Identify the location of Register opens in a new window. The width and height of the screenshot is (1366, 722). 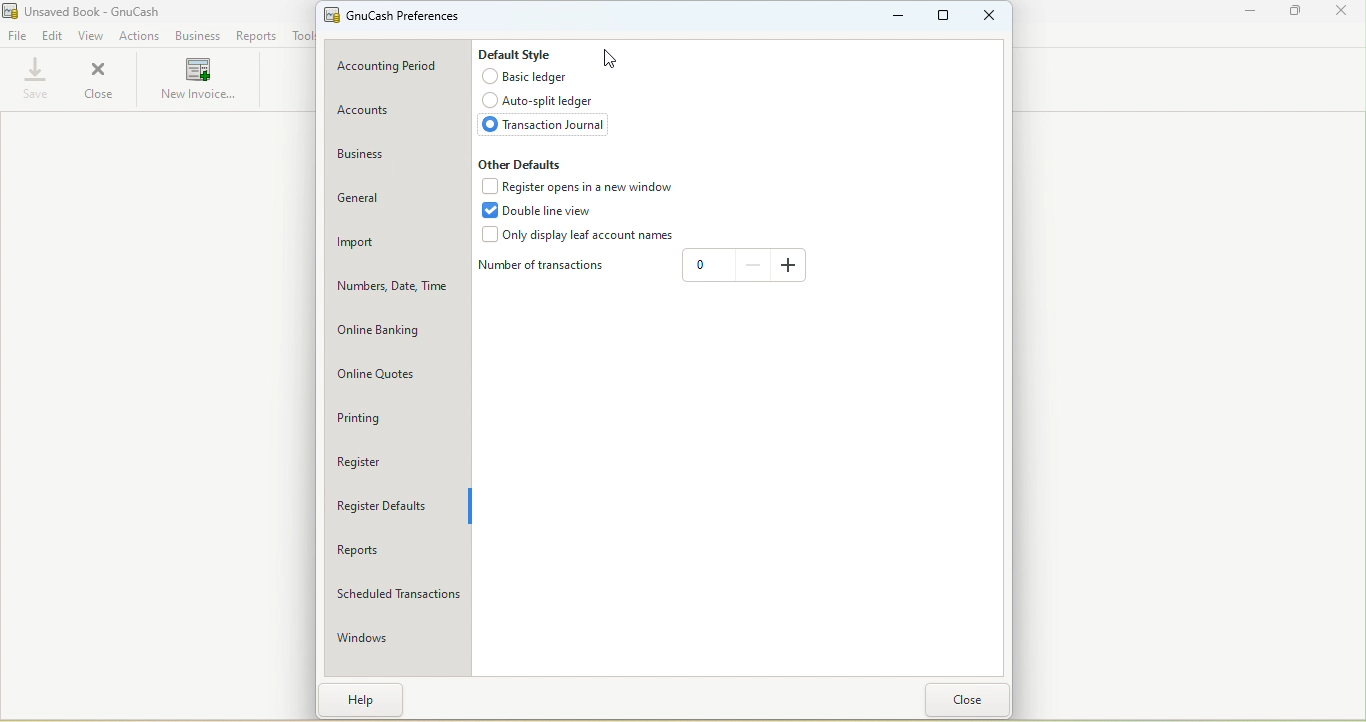
(581, 186).